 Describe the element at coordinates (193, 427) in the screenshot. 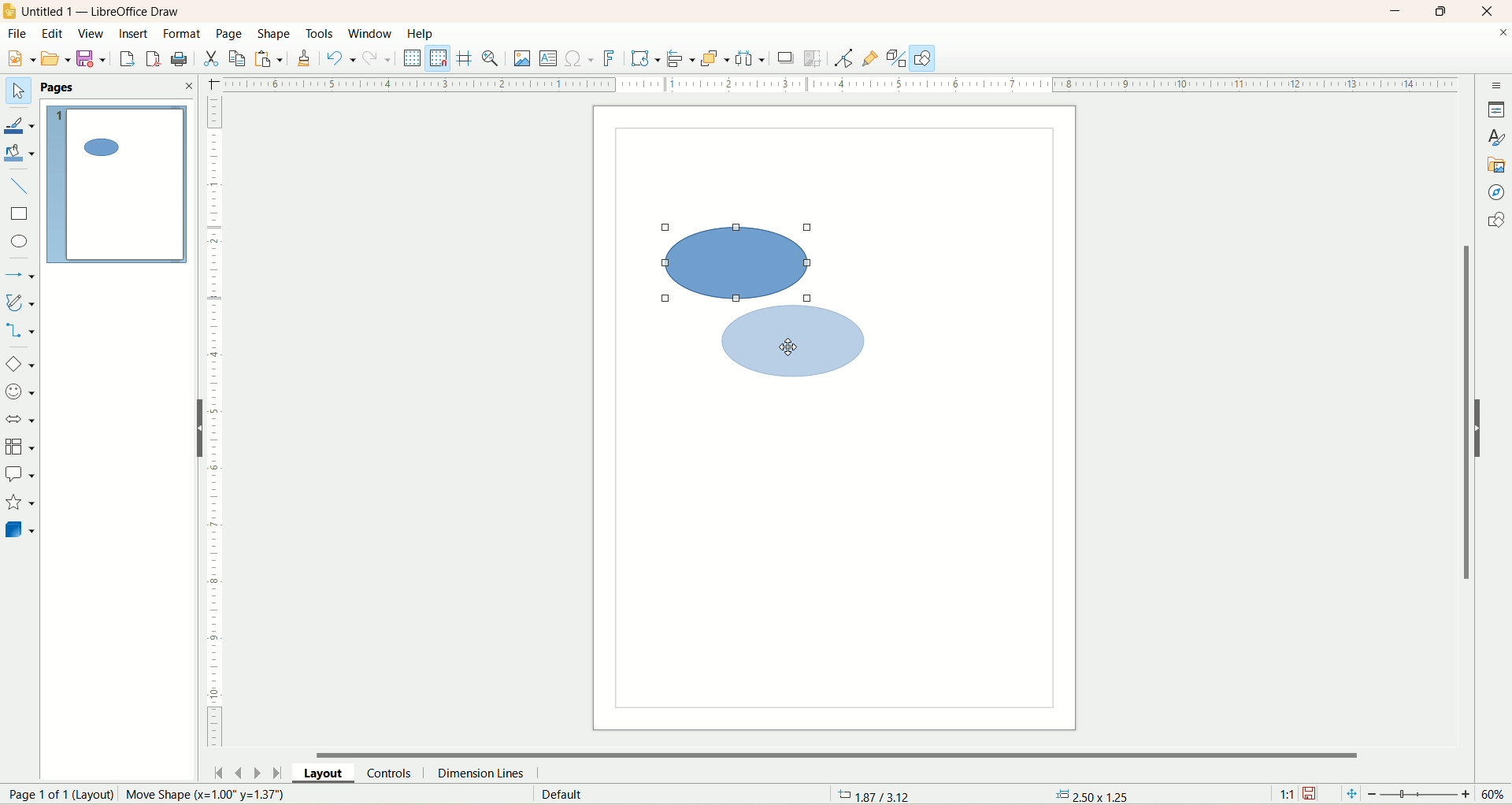

I see `hide` at that location.